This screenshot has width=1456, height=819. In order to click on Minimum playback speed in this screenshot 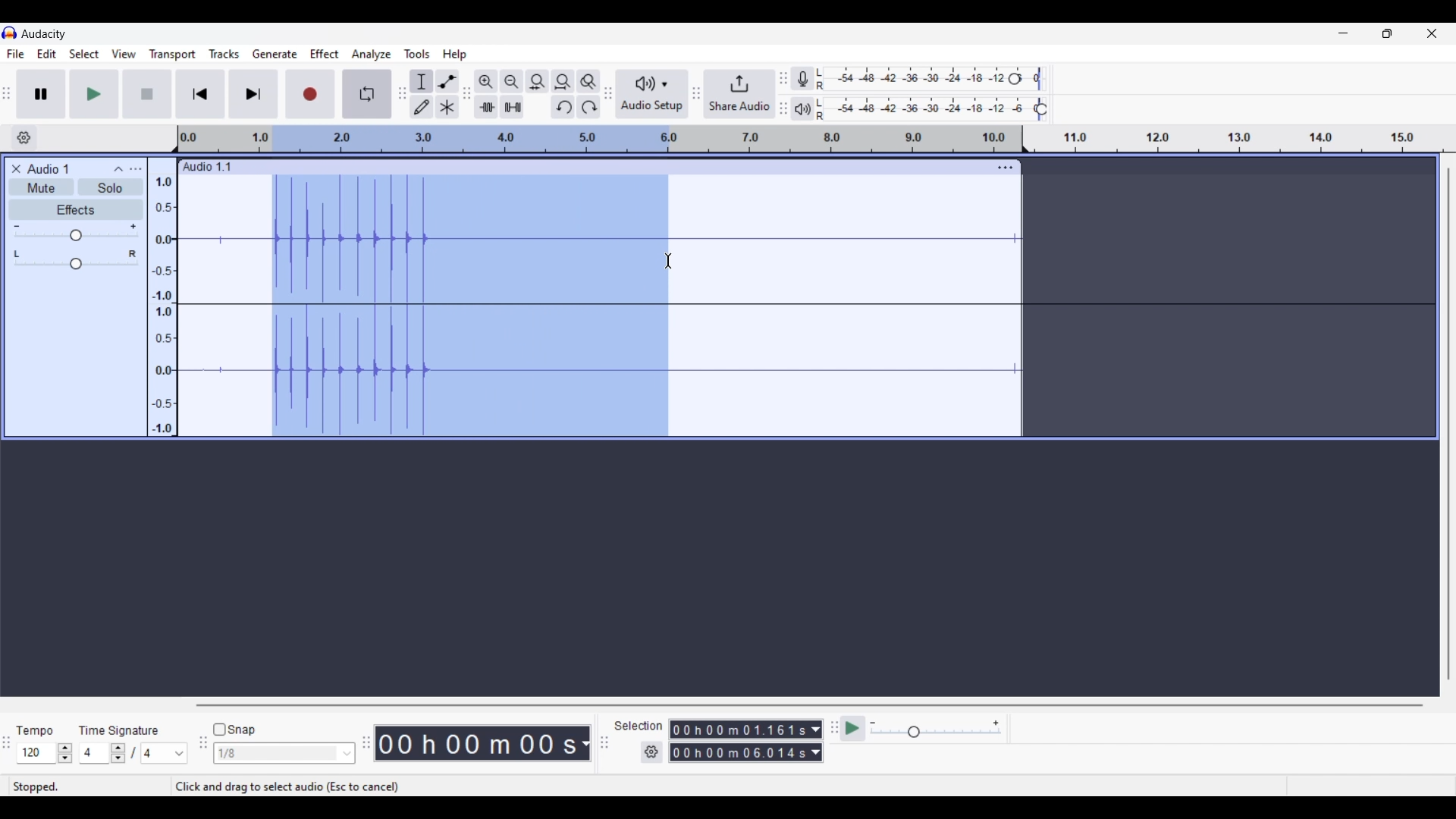, I will do `click(873, 723)`.